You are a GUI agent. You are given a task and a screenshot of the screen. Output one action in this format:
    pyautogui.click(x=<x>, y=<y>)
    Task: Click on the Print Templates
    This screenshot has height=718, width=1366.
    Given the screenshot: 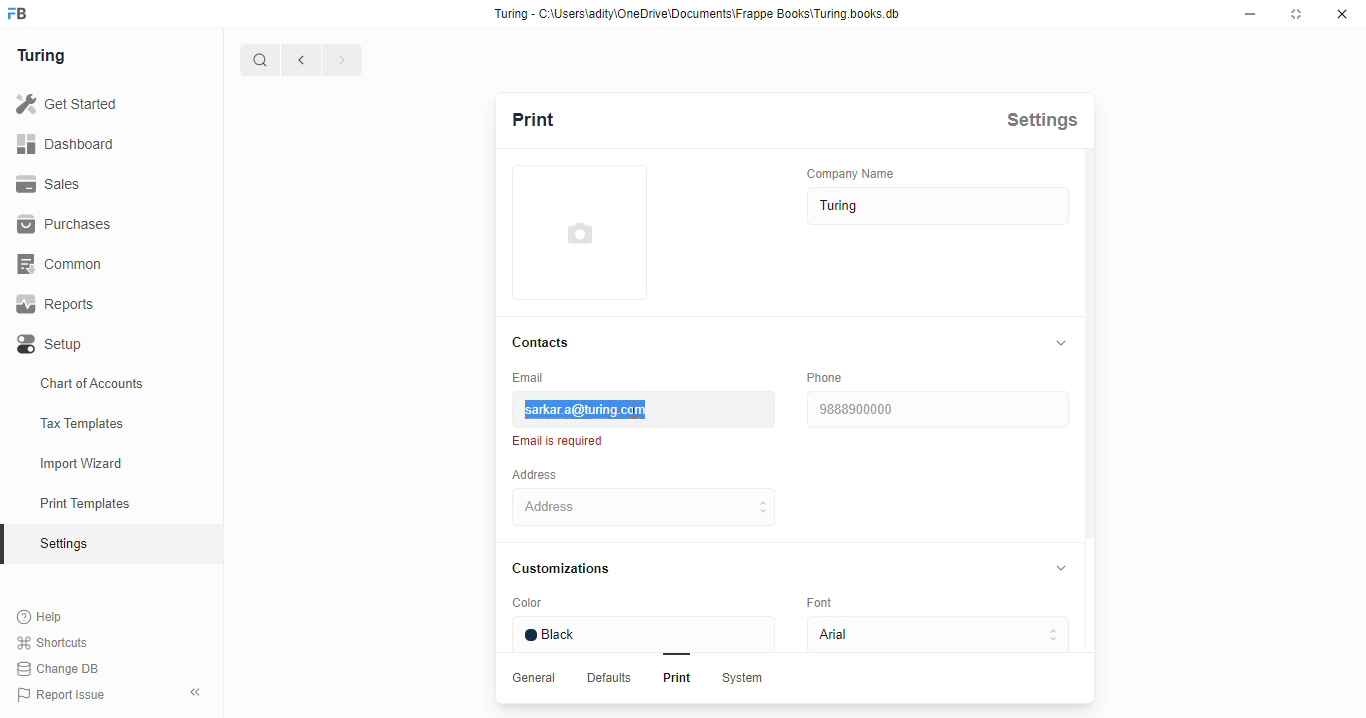 What is the action you would take?
    pyautogui.click(x=106, y=503)
    